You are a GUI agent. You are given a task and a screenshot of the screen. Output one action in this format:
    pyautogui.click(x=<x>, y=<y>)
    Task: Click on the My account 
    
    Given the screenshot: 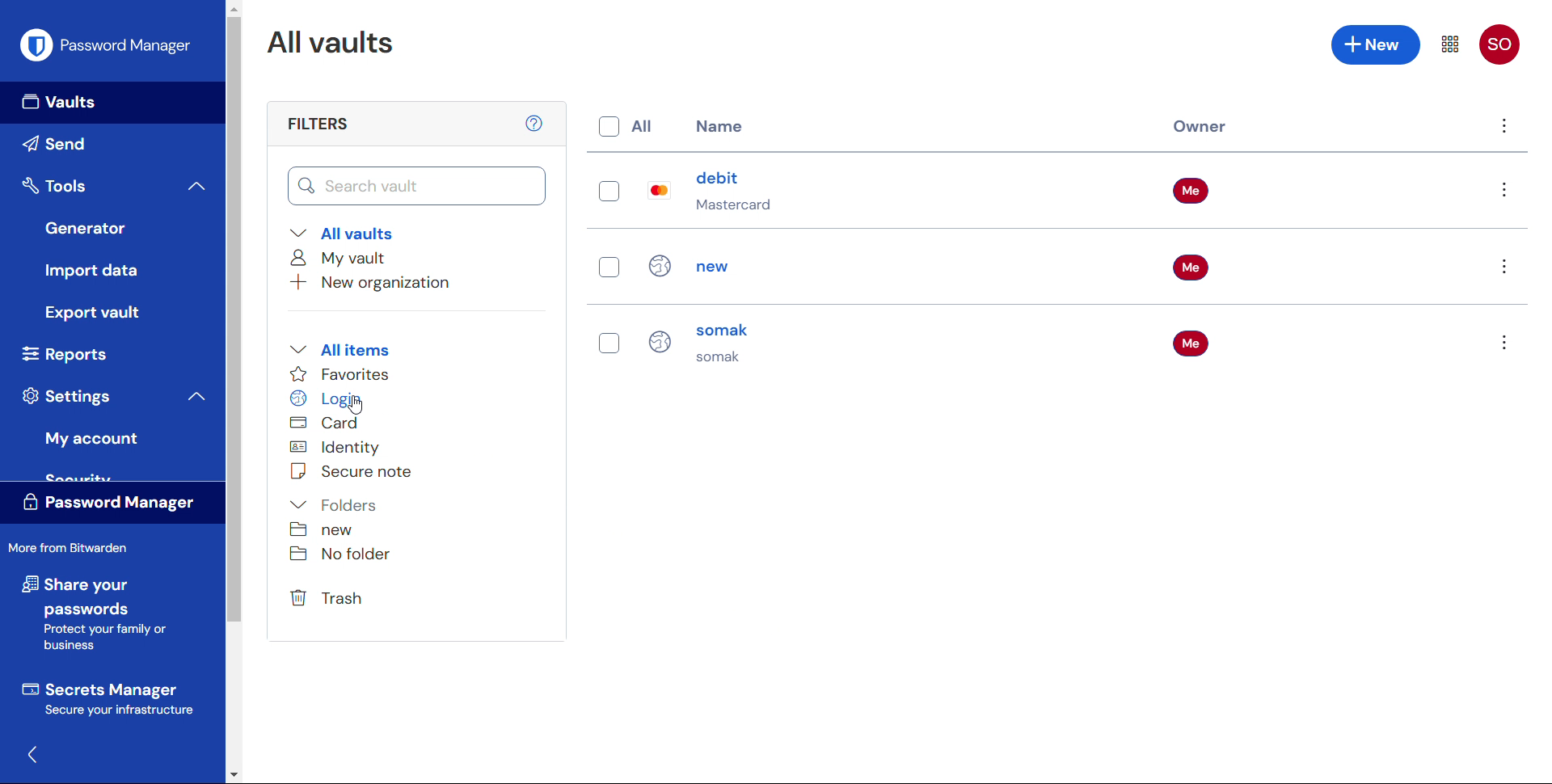 What is the action you would take?
    pyautogui.click(x=89, y=439)
    